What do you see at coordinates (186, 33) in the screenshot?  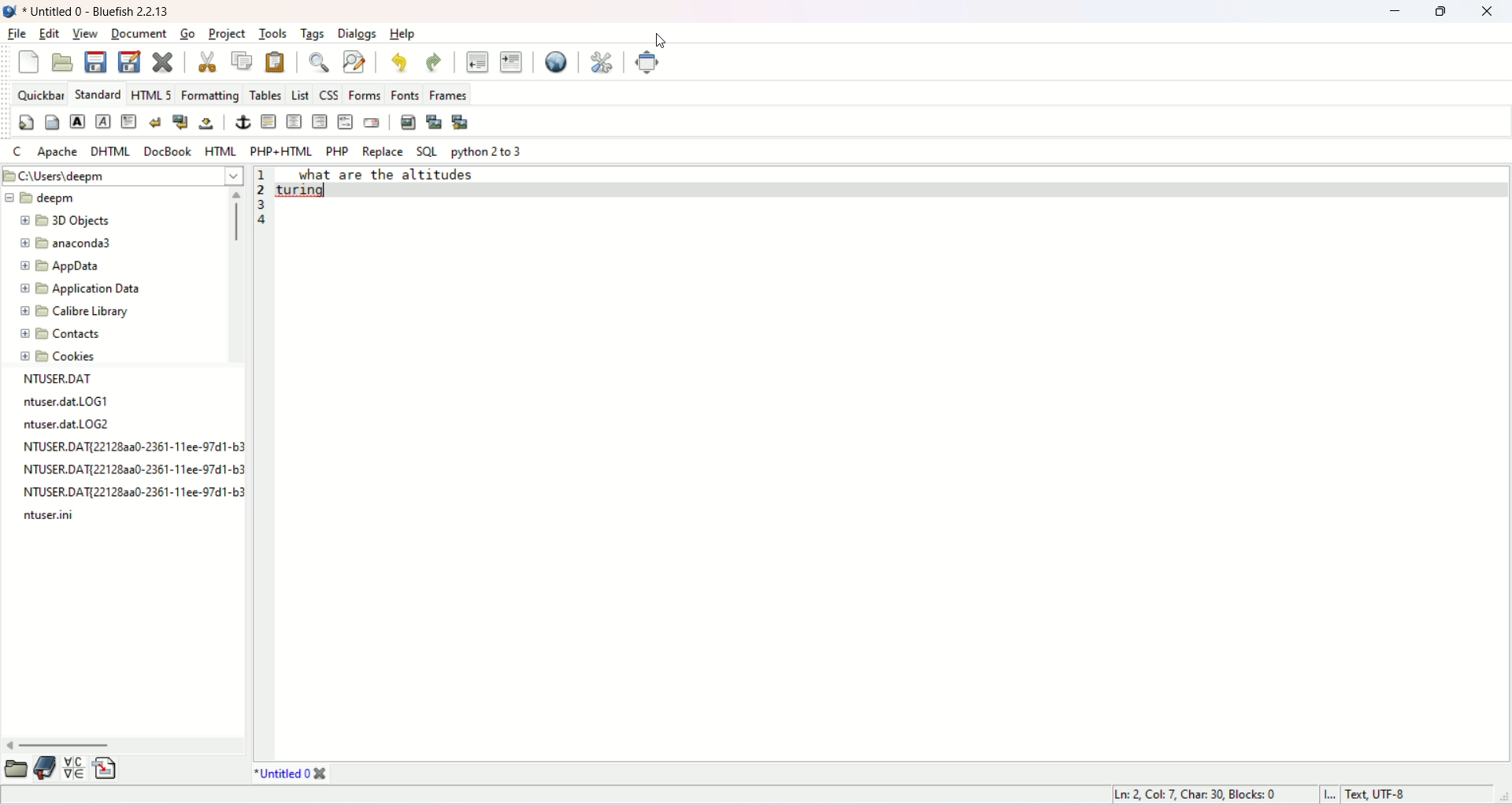 I see `go` at bounding box center [186, 33].